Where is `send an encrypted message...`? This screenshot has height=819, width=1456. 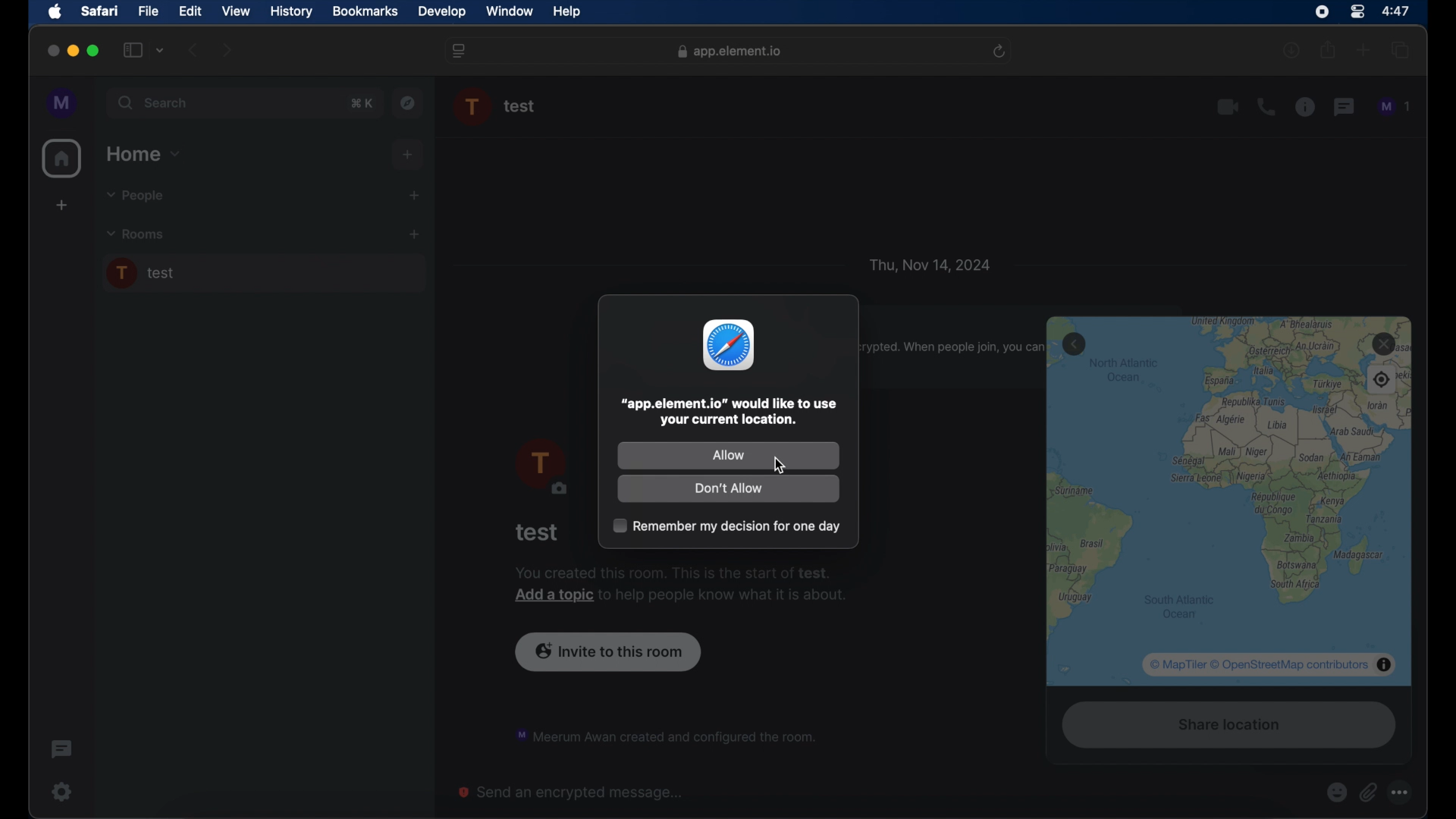
send an encrypted message... is located at coordinates (572, 792).